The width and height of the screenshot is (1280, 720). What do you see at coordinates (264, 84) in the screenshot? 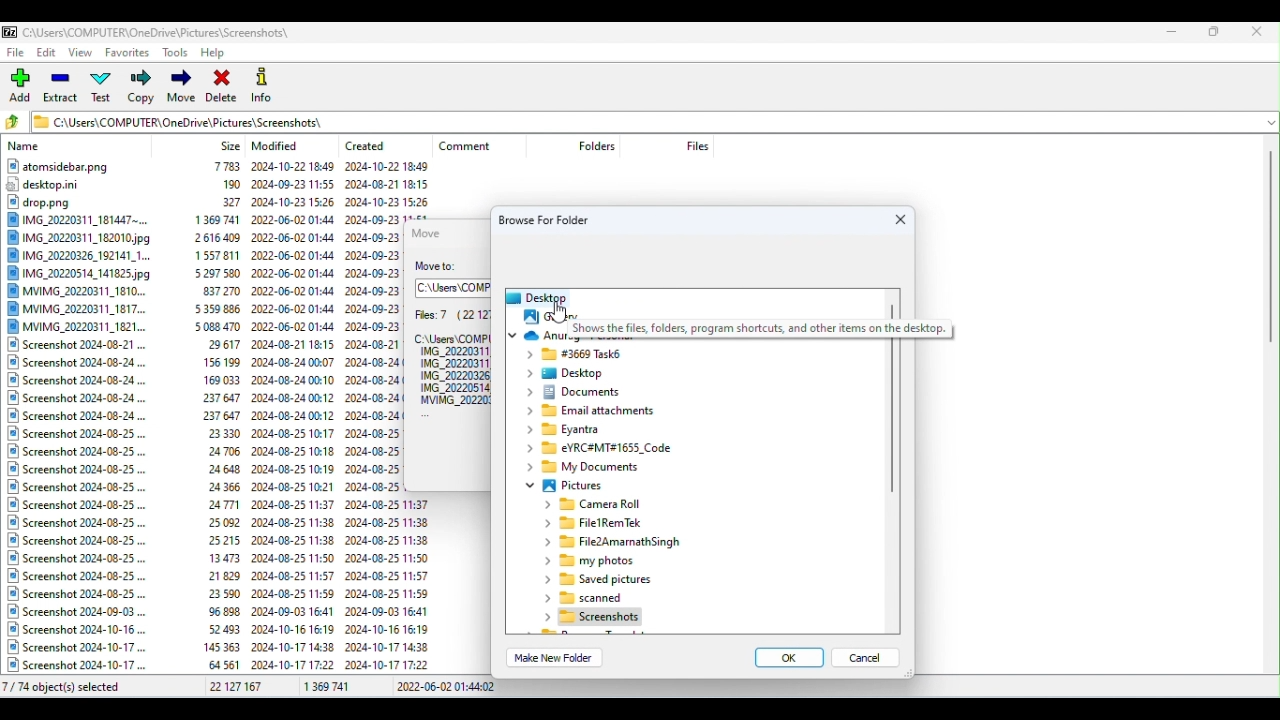
I see `Info` at bounding box center [264, 84].